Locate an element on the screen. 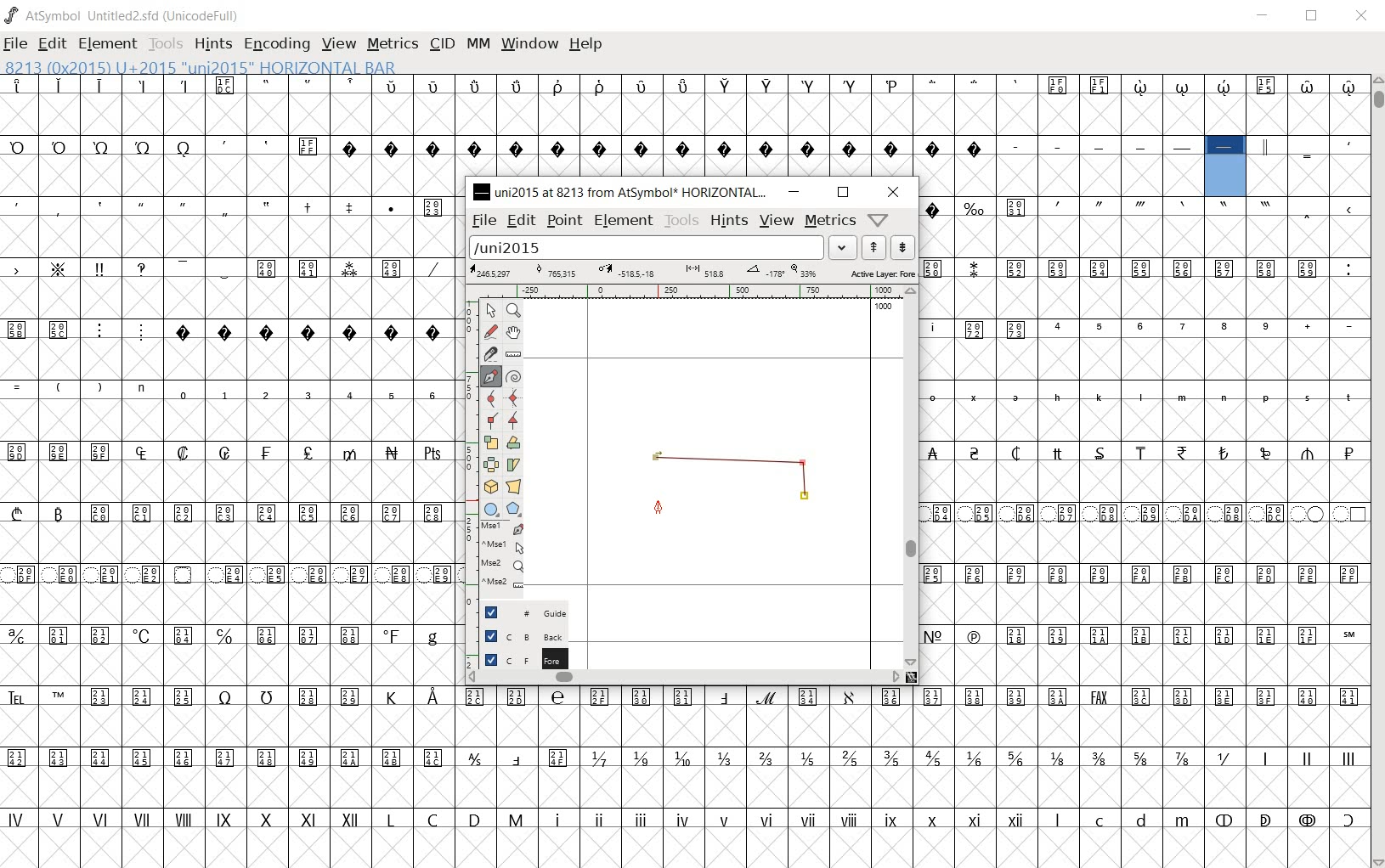 The image size is (1385, 868). minimize is located at coordinates (795, 193).